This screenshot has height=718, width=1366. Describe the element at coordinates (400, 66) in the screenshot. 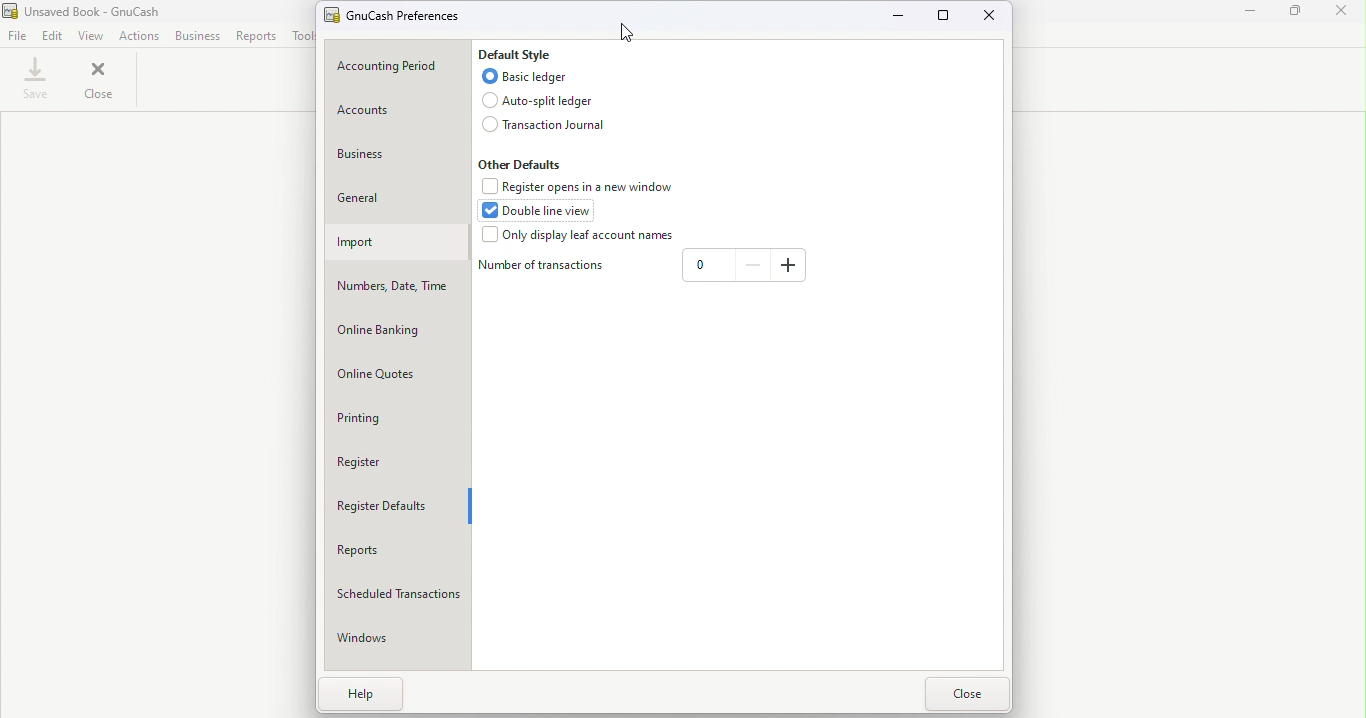

I see `Accounting period` at that location.